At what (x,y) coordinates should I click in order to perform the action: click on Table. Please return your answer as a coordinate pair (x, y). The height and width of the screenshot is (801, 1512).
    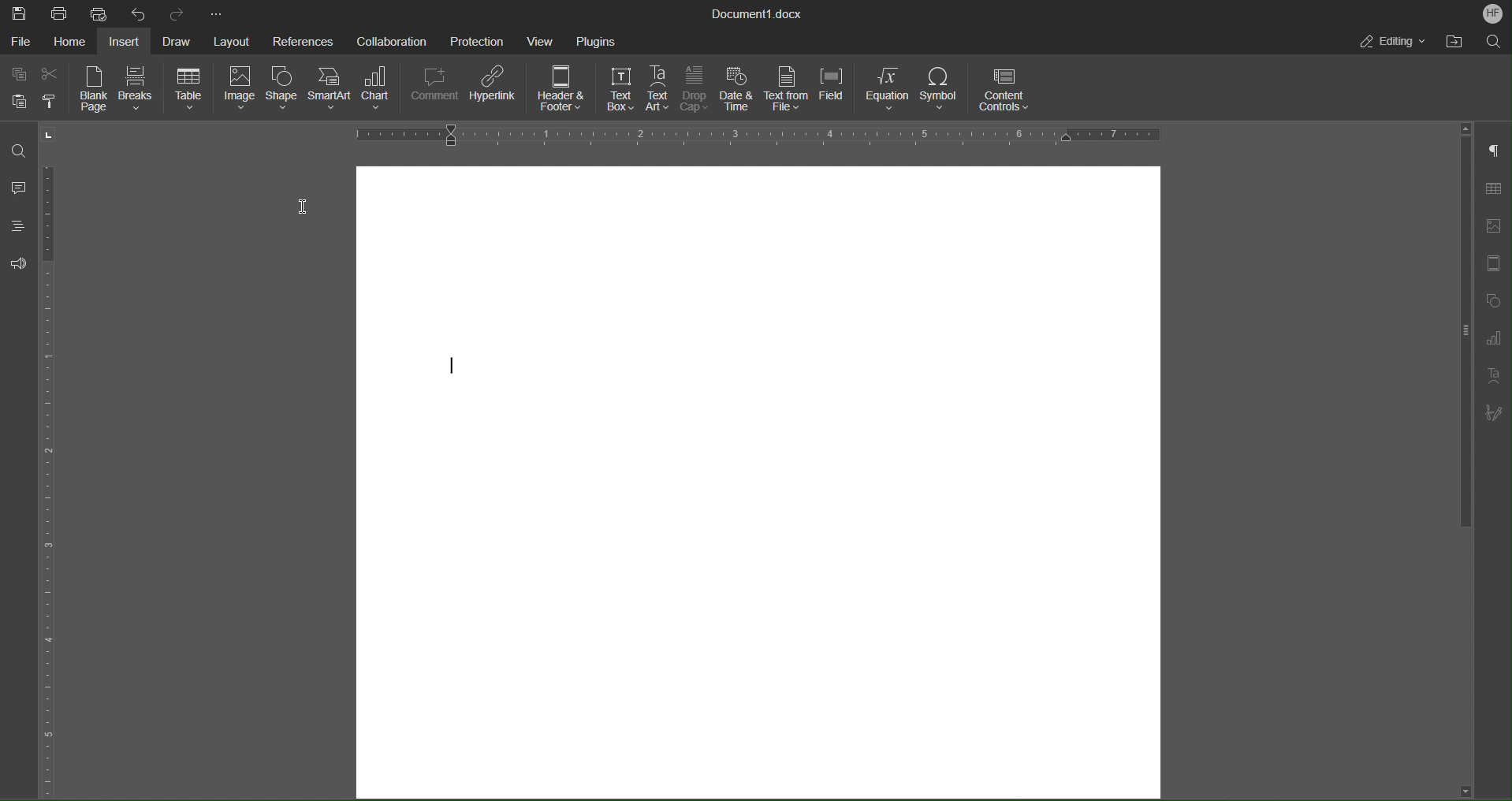
    Looking at the image, I should click on (187, 90).